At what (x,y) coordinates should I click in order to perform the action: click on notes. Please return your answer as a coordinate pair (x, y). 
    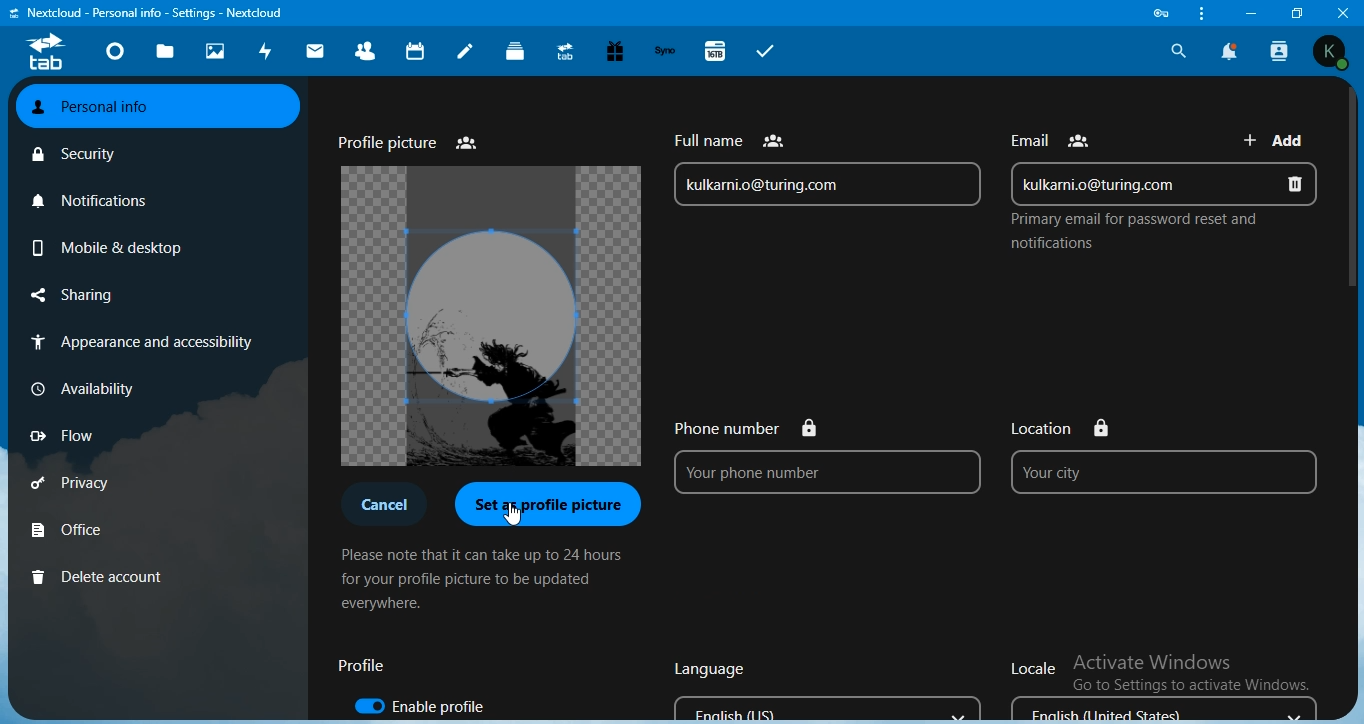
    Looking at the image, I should click on (466, 51).